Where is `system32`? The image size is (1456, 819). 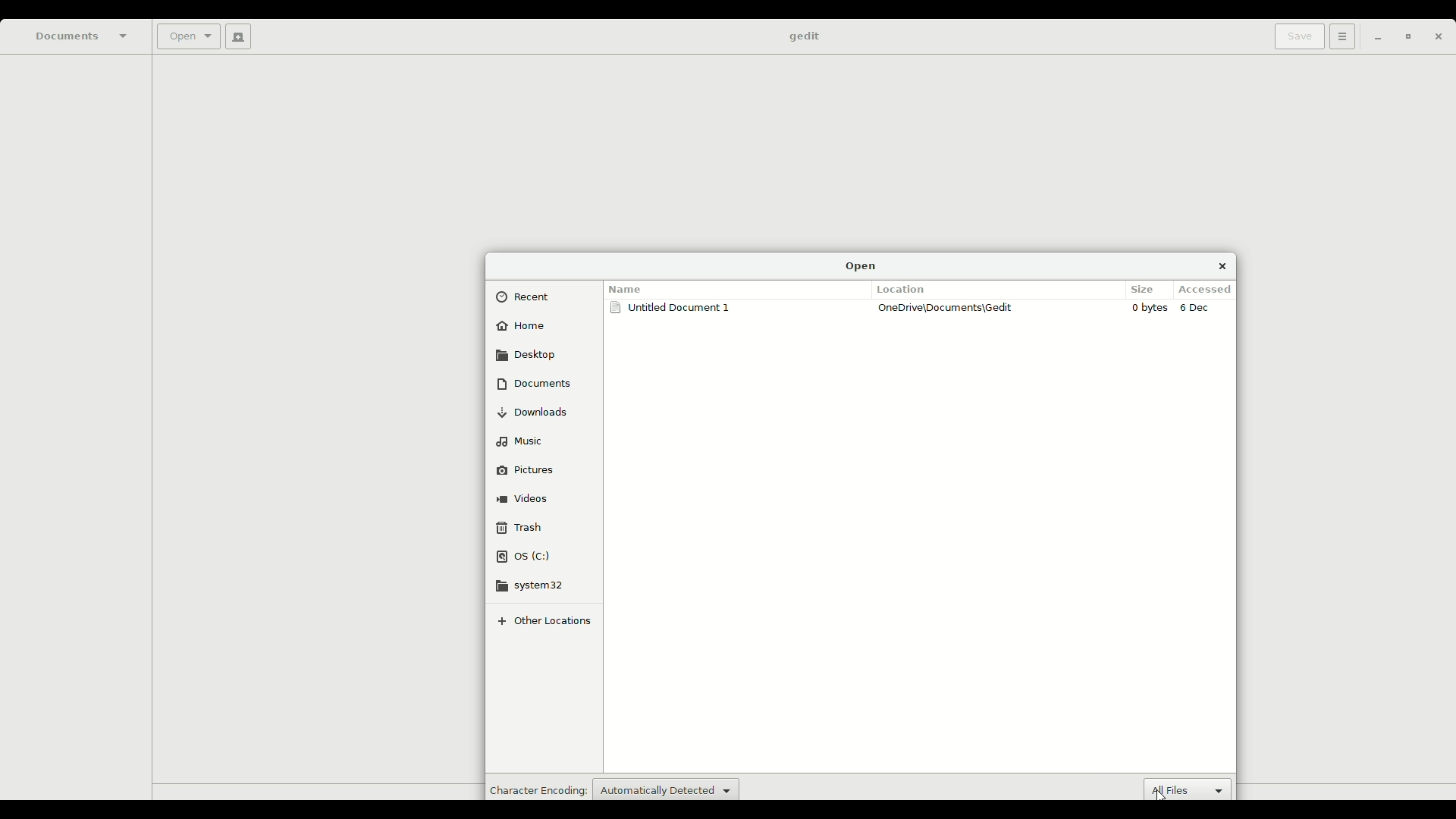 system32 is located at coordinates (538, 585).